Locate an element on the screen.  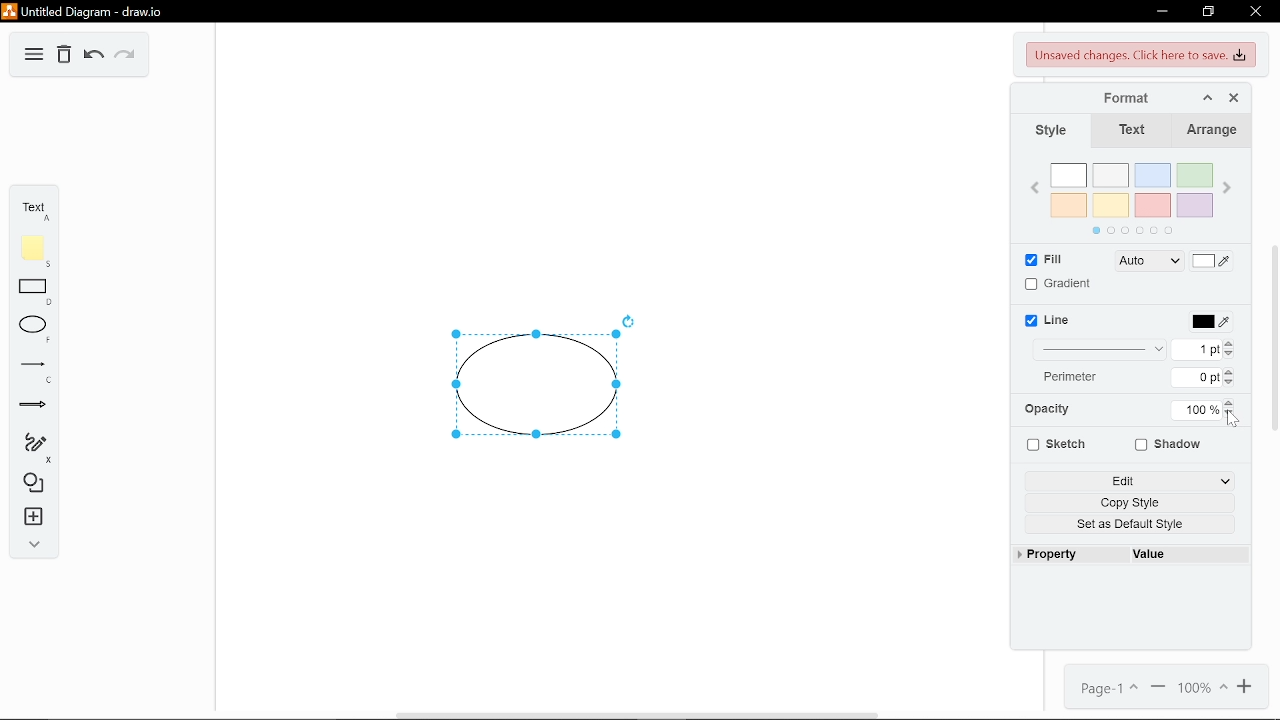
Property is located at coordinates (1070, 555).